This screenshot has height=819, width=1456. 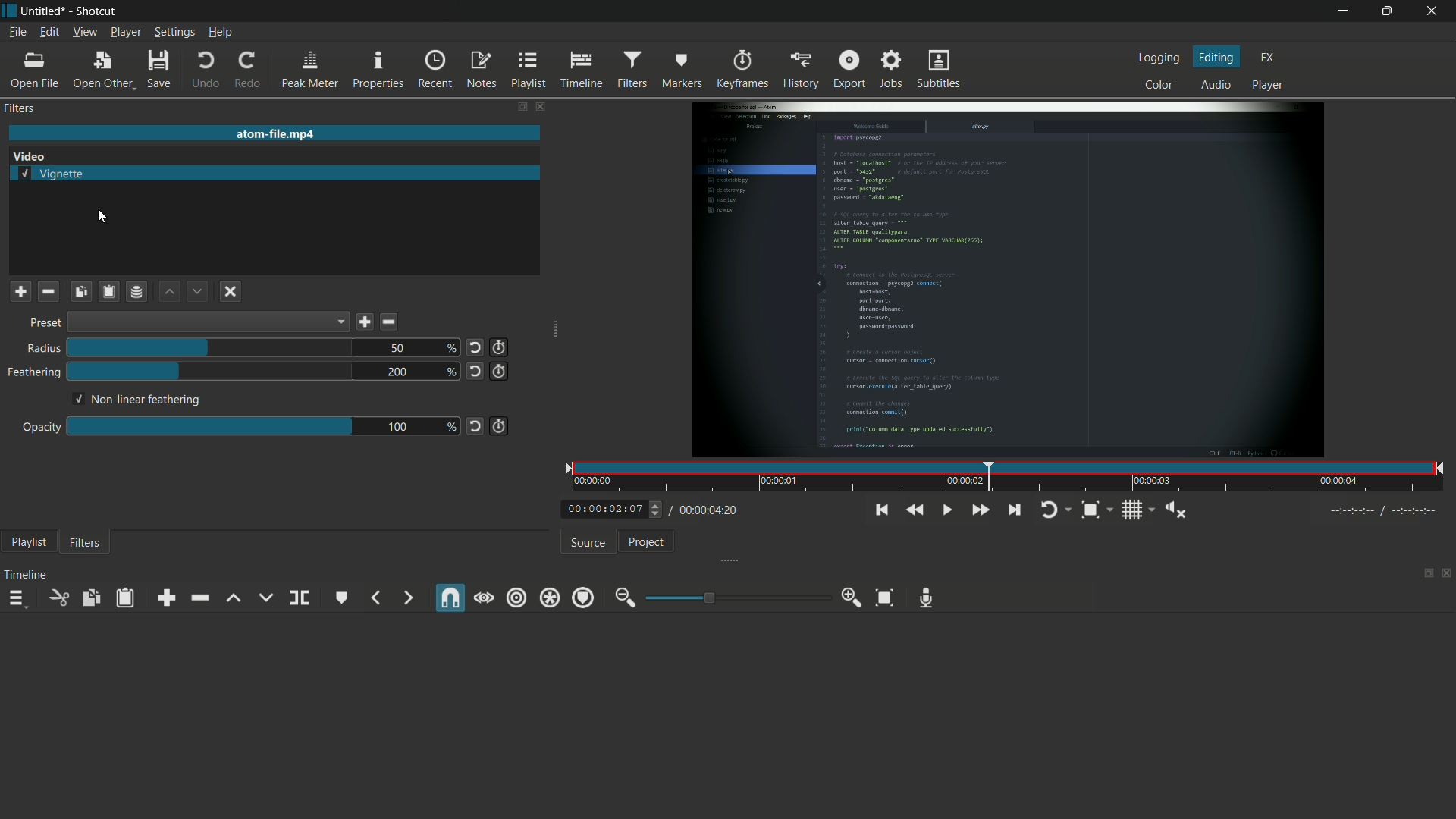 What do you see at coordinates (27, 541) in the screenshot?
I see `playlist` at bounding box center [27, 541].